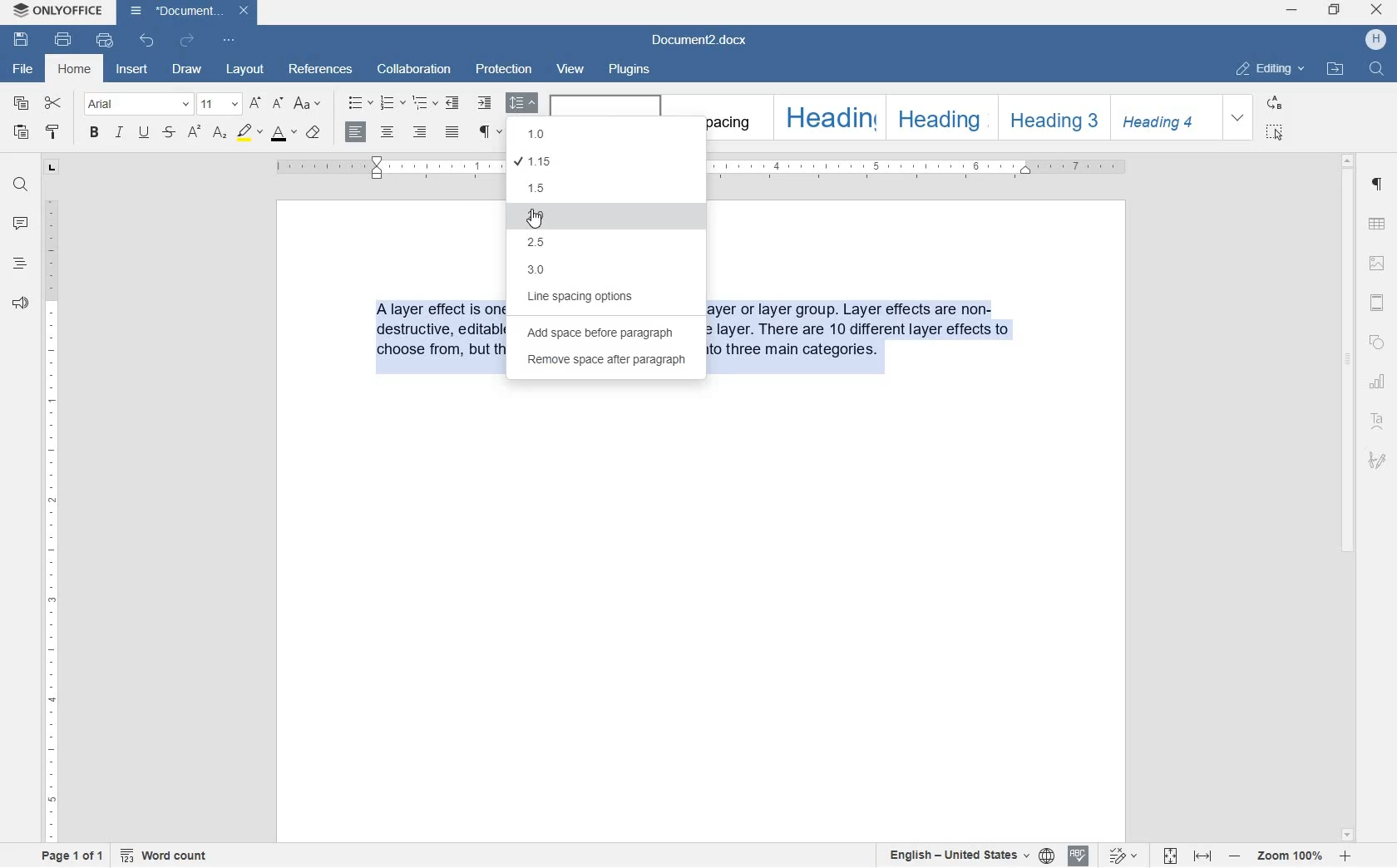 This screenshot has width=1397, height=868. Describe the element at coordinates (1377, 460) in the screenshot. I see `signature` at that location.